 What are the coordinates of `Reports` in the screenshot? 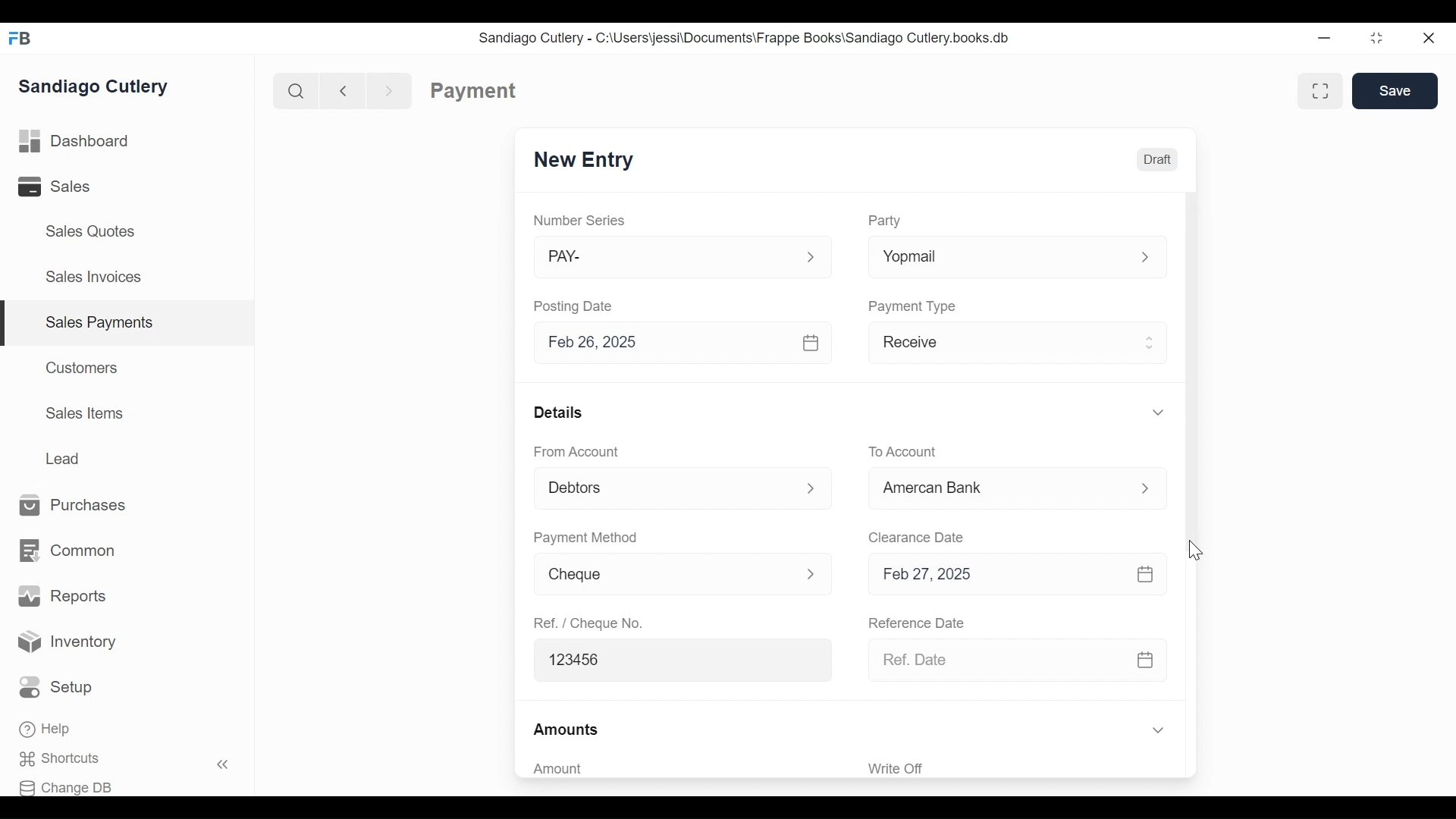 It's located at (62, 596).